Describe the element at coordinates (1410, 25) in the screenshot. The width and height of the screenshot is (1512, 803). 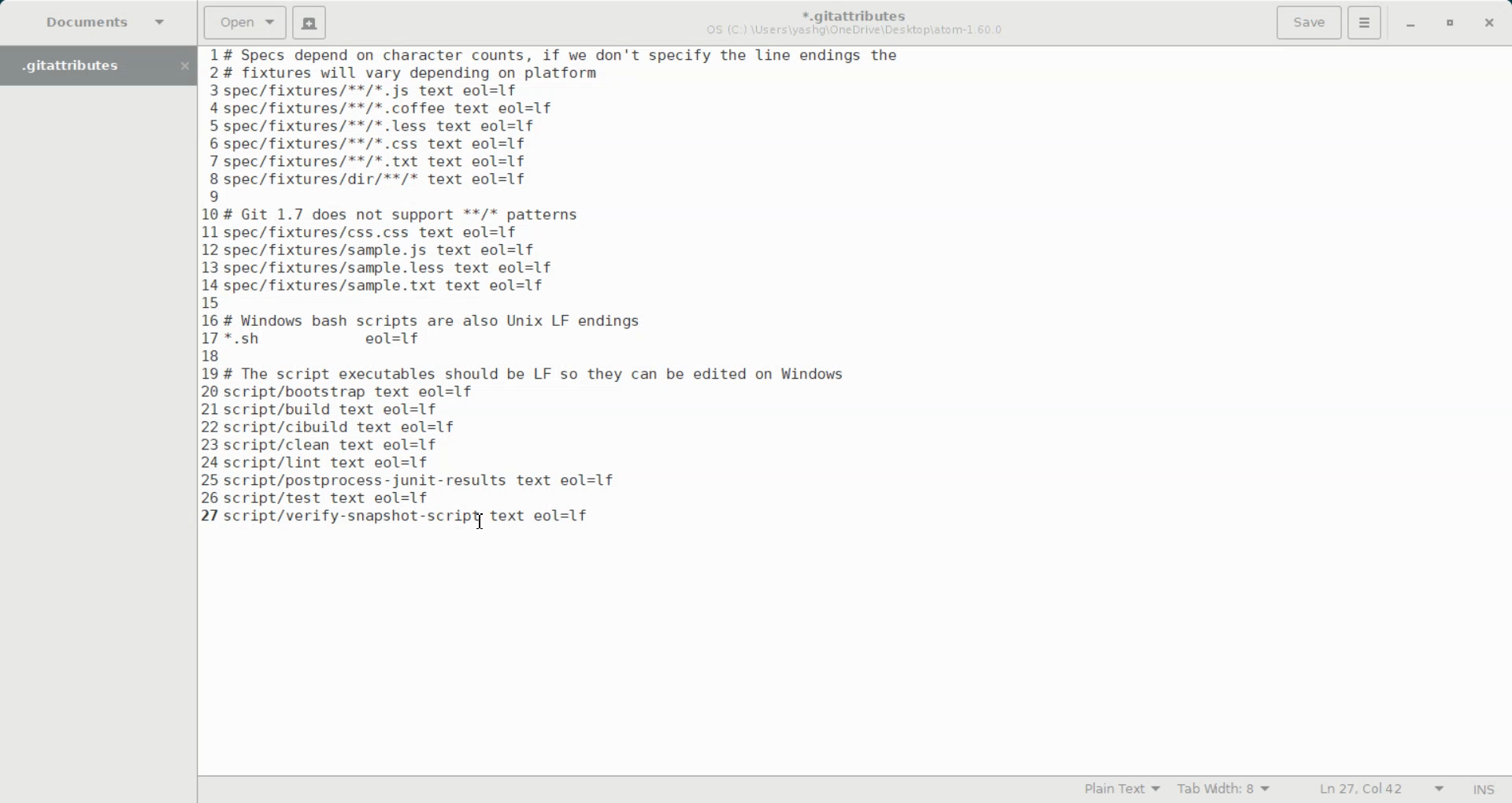
I see `Minimize` at that location.